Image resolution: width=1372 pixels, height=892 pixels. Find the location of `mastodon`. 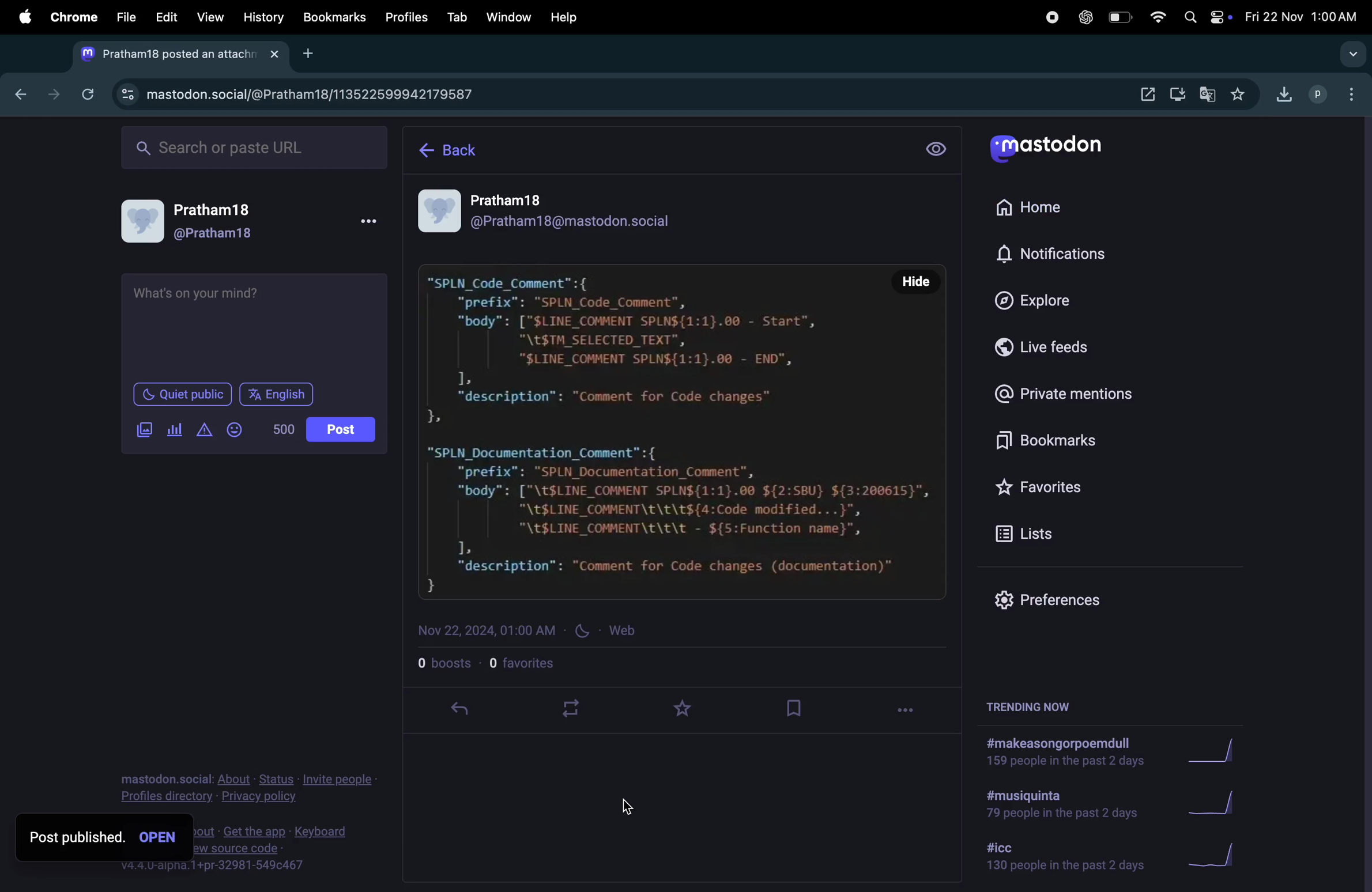

mastodon is located at coordinates (1060, 148).